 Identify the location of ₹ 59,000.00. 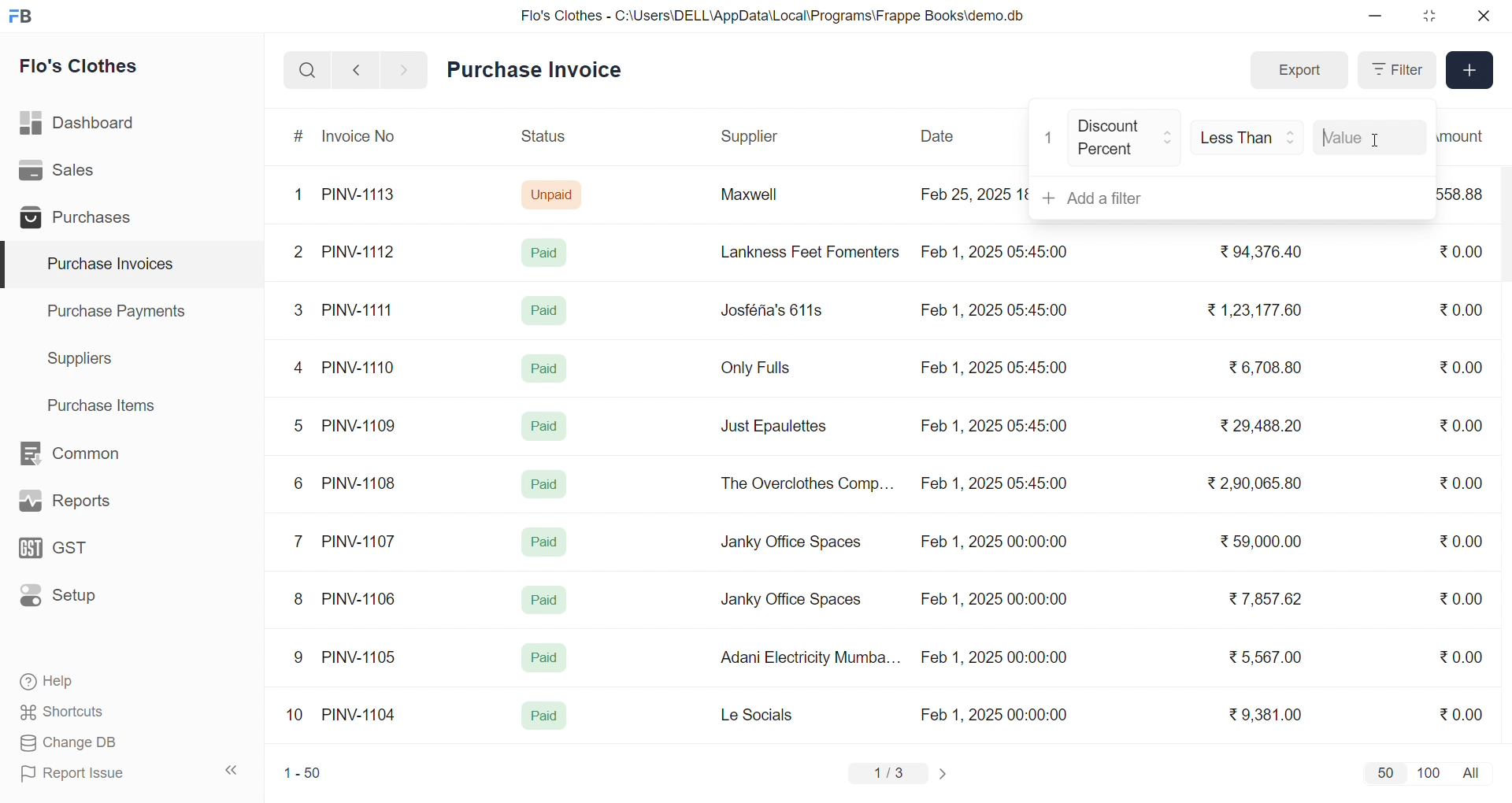
(1266, 543).